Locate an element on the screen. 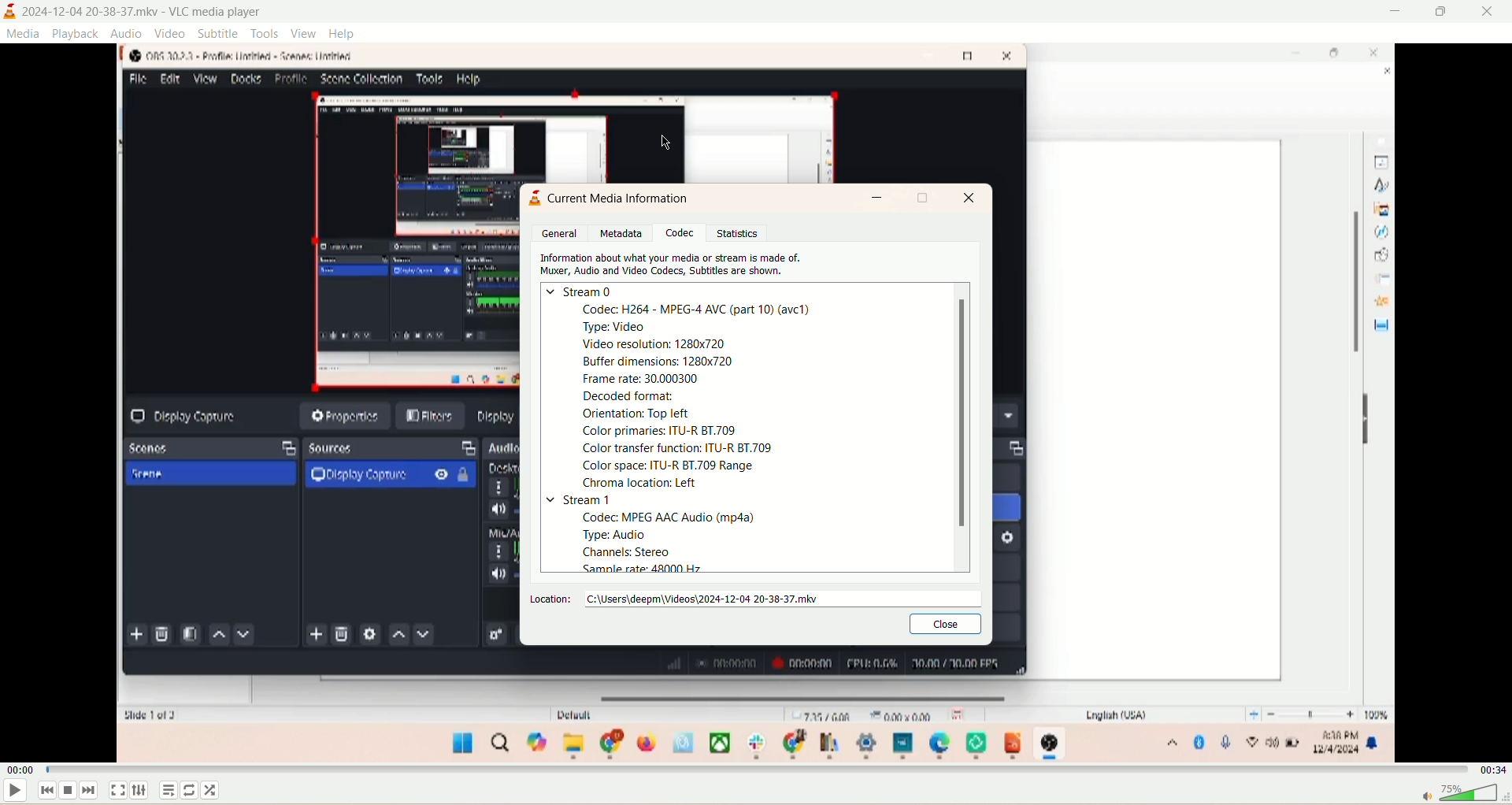 Image resolution: width=1512 pixels, height=805 pixels. view is located at coordinates (306, 33).